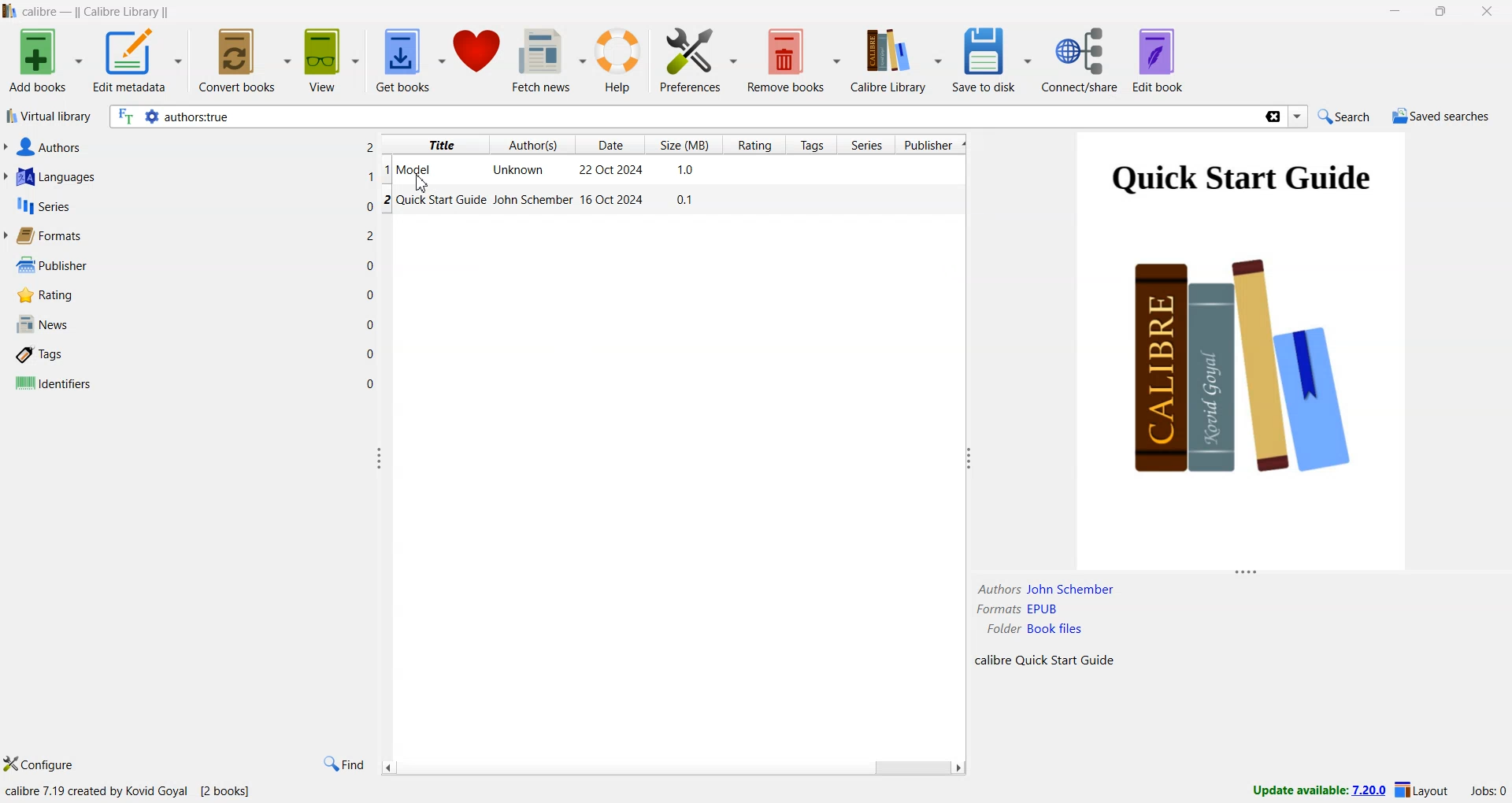  What do you see at coordinates (9, 11) in the screenshot?
I see `app name` at bounding box center [9, 11].